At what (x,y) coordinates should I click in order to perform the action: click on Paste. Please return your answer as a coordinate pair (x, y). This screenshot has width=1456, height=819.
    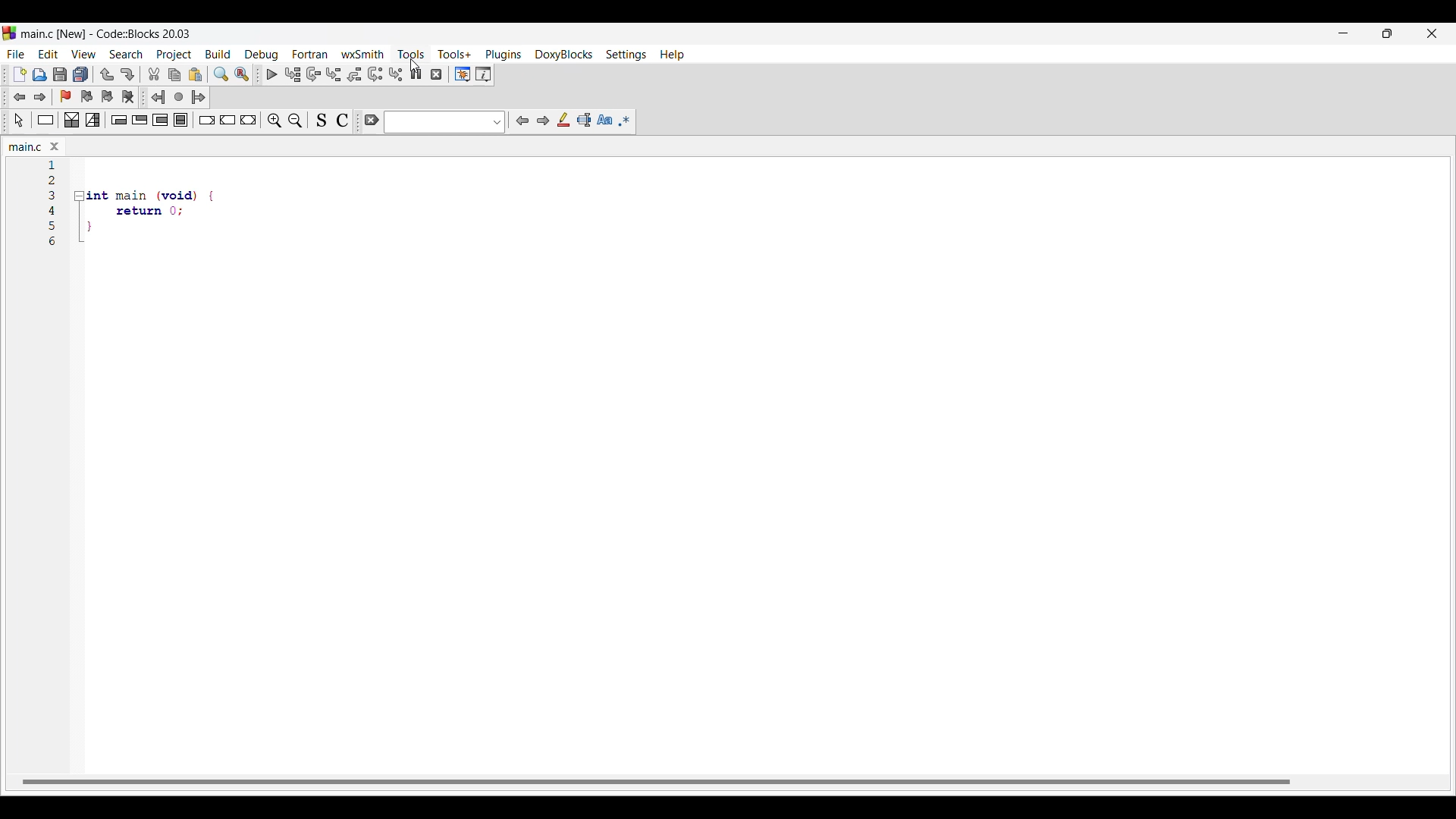
    Looking at the image, I should click on (196, 74).